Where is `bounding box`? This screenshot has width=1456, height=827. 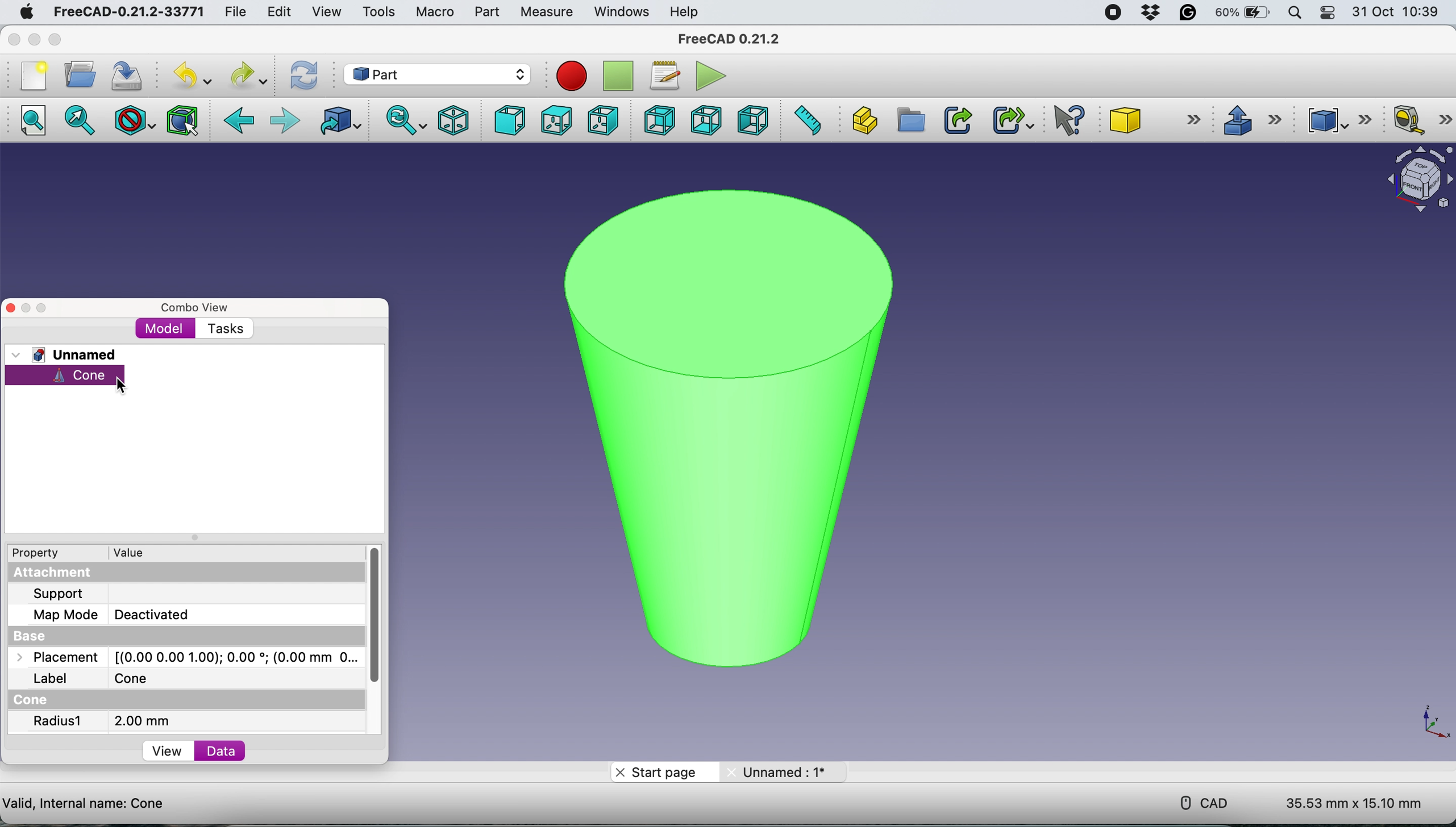
bounding box is located at coordinates (181, 120).